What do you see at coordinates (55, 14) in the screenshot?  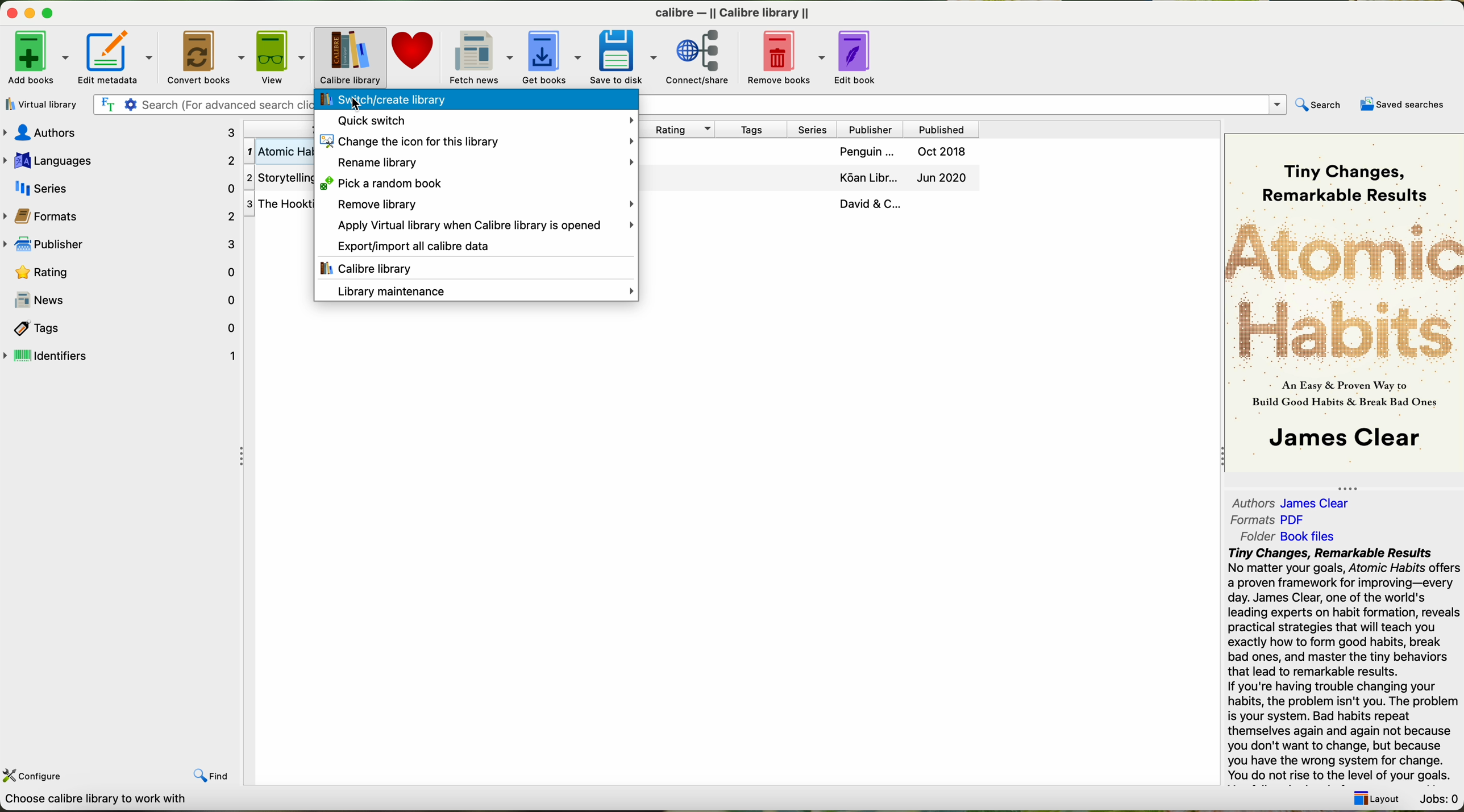 I see `maximize program` at bounding box center [55, 14].